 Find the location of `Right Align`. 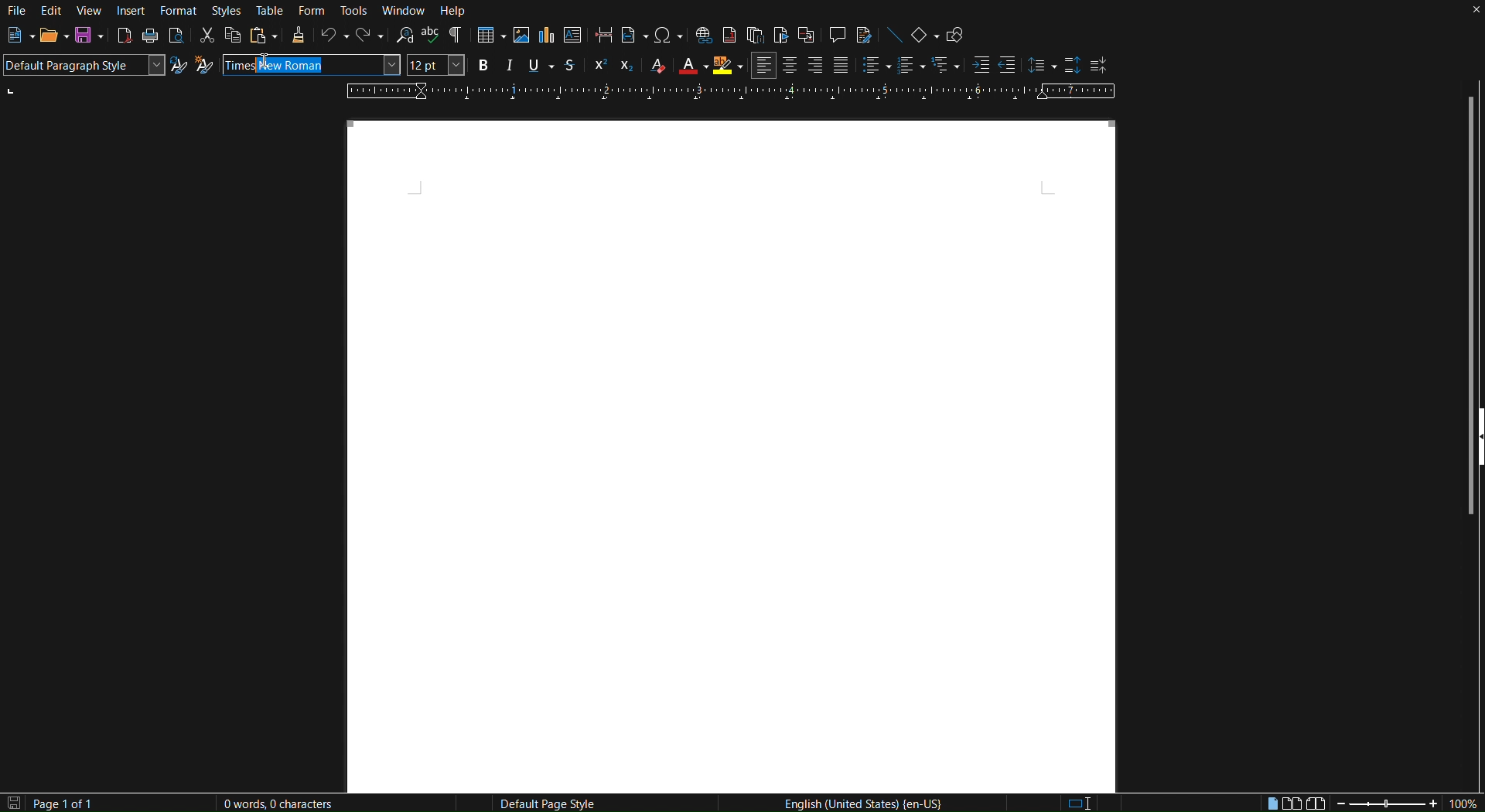

Right Align is located at coordinates (814, 67).